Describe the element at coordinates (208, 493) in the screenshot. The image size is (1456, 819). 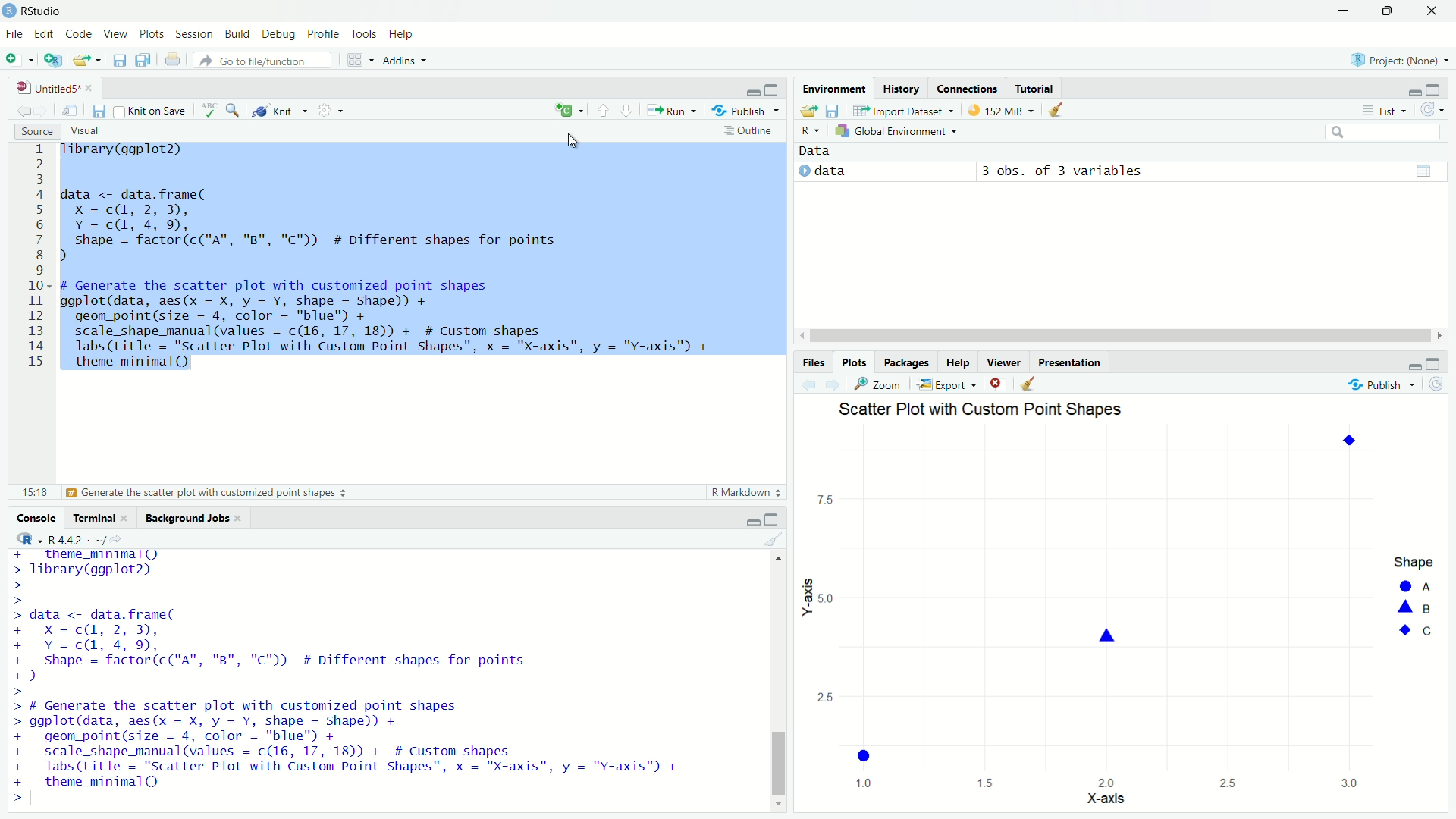
I see `Generate the scatter plot with customized point shapes` at that location.